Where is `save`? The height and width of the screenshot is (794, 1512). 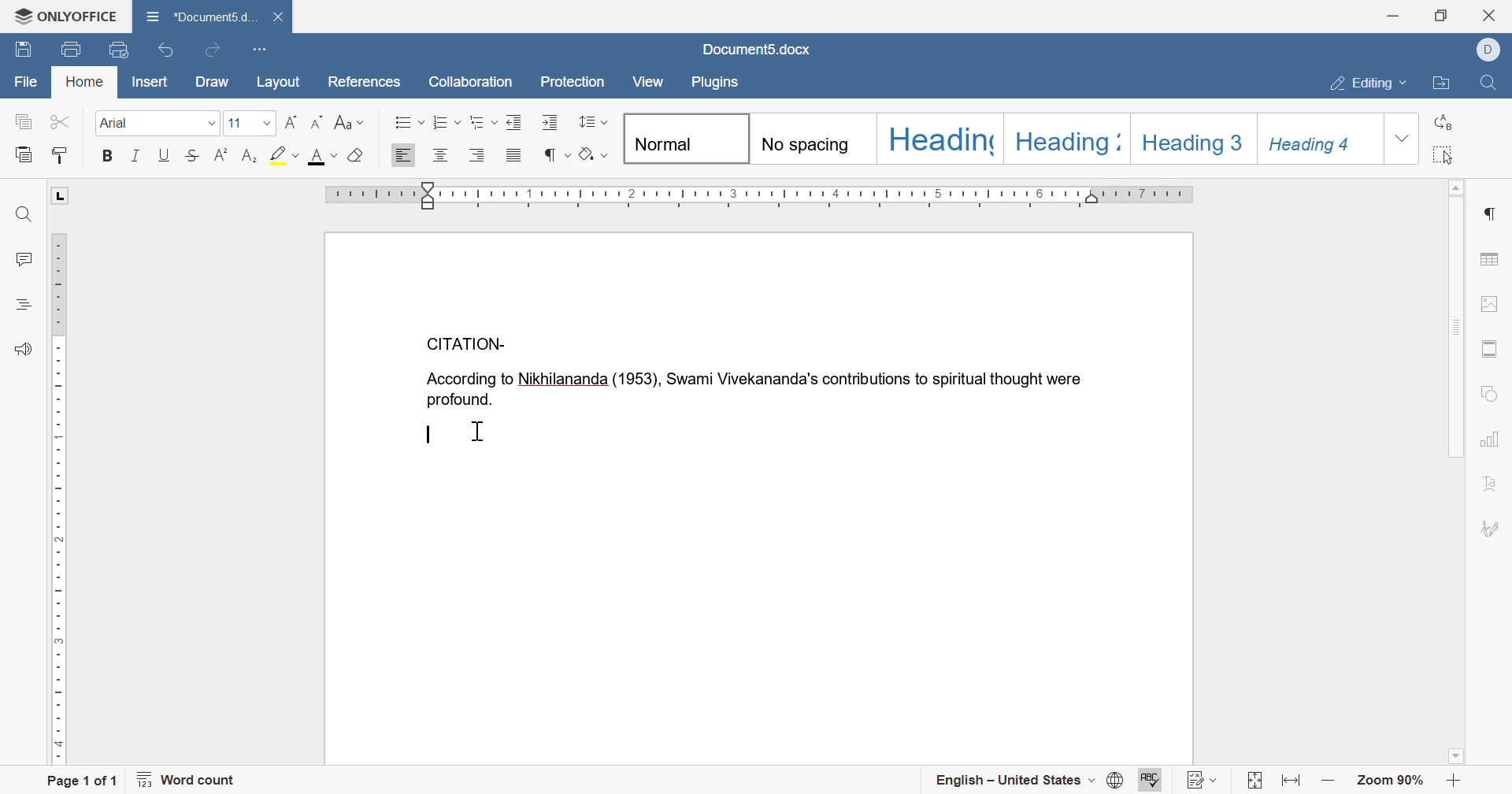 save is located at coordinates (23, 52).